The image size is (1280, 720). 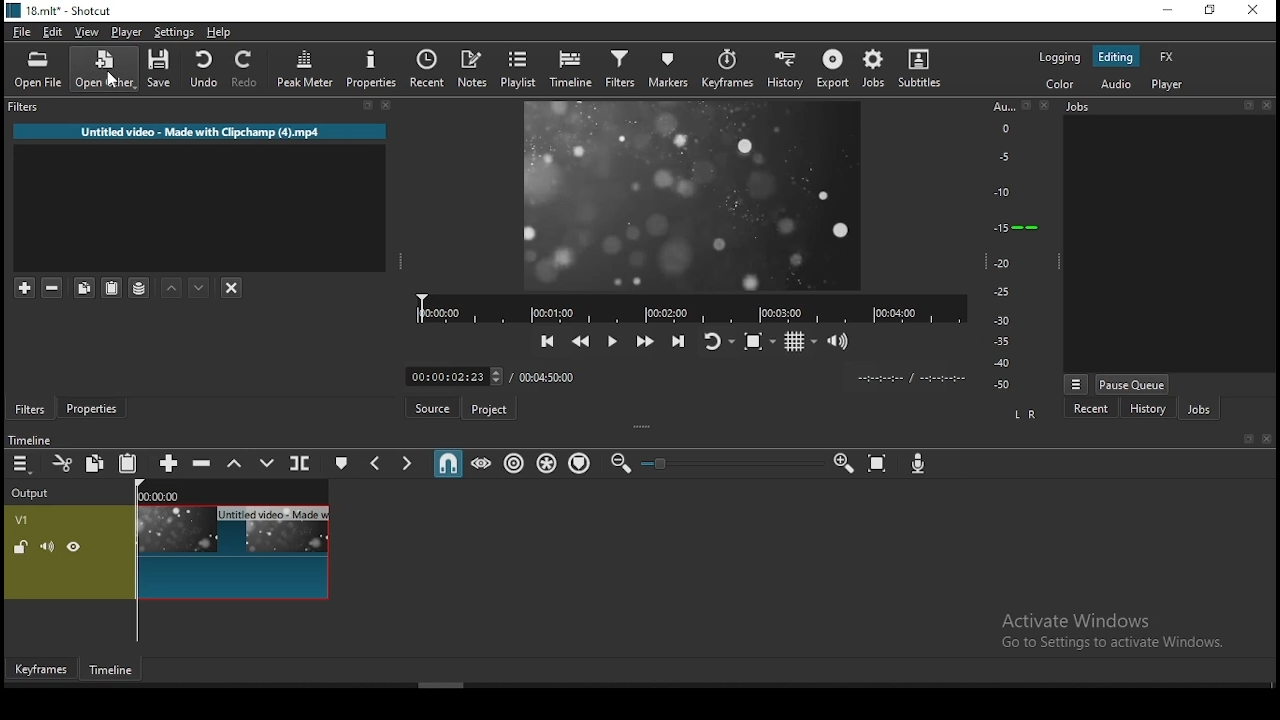 What do you see at coordinates (23, 464) in the screenshot?
I see `menu` at bounding box center [23, 464].